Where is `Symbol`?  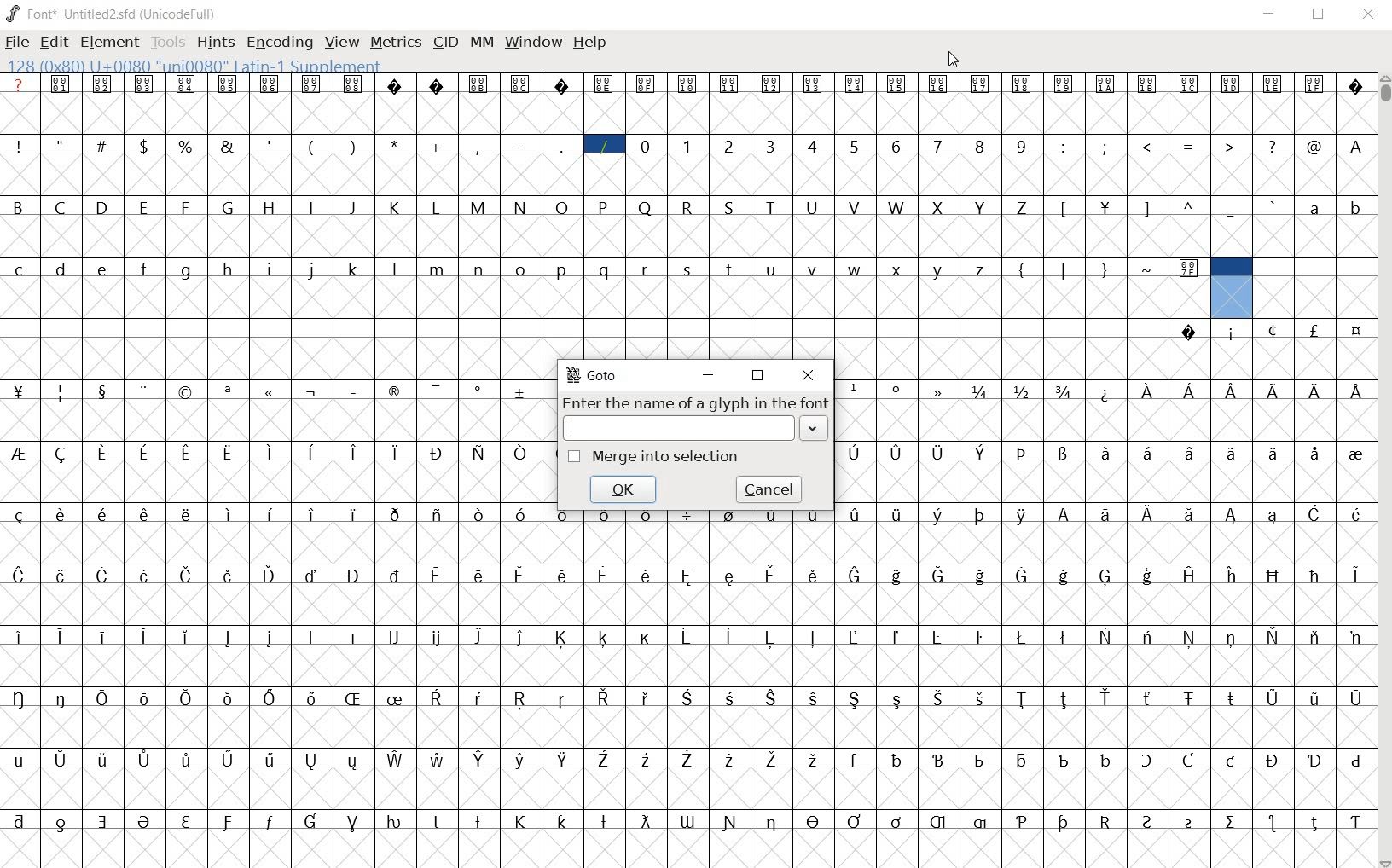
Symbol is located at coordinates (941, 391).